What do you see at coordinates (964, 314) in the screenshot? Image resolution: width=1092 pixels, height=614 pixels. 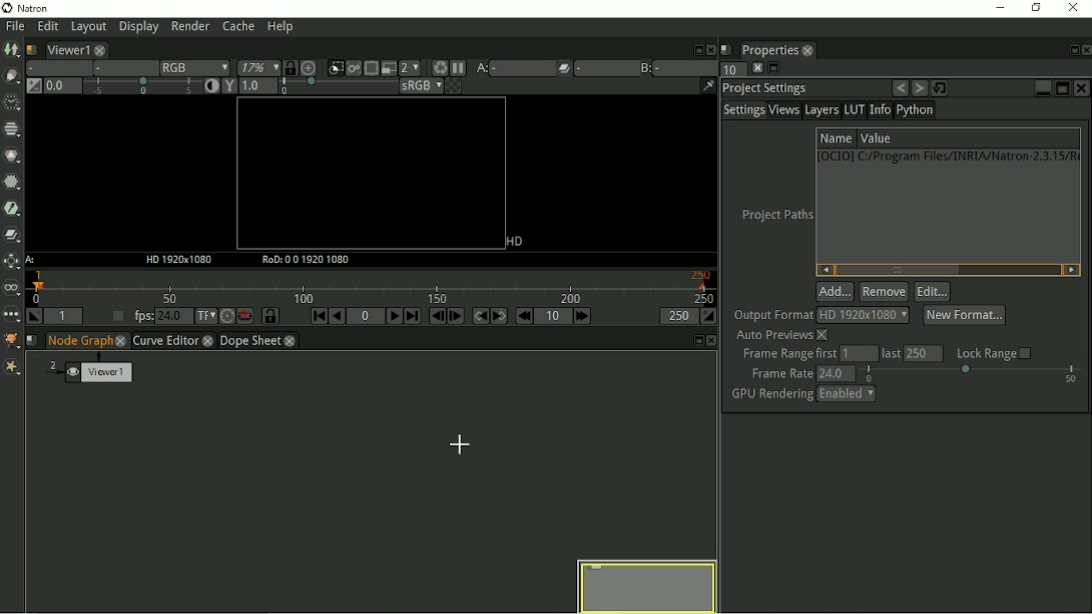 I see `New format` at bounding box center [964, 314].